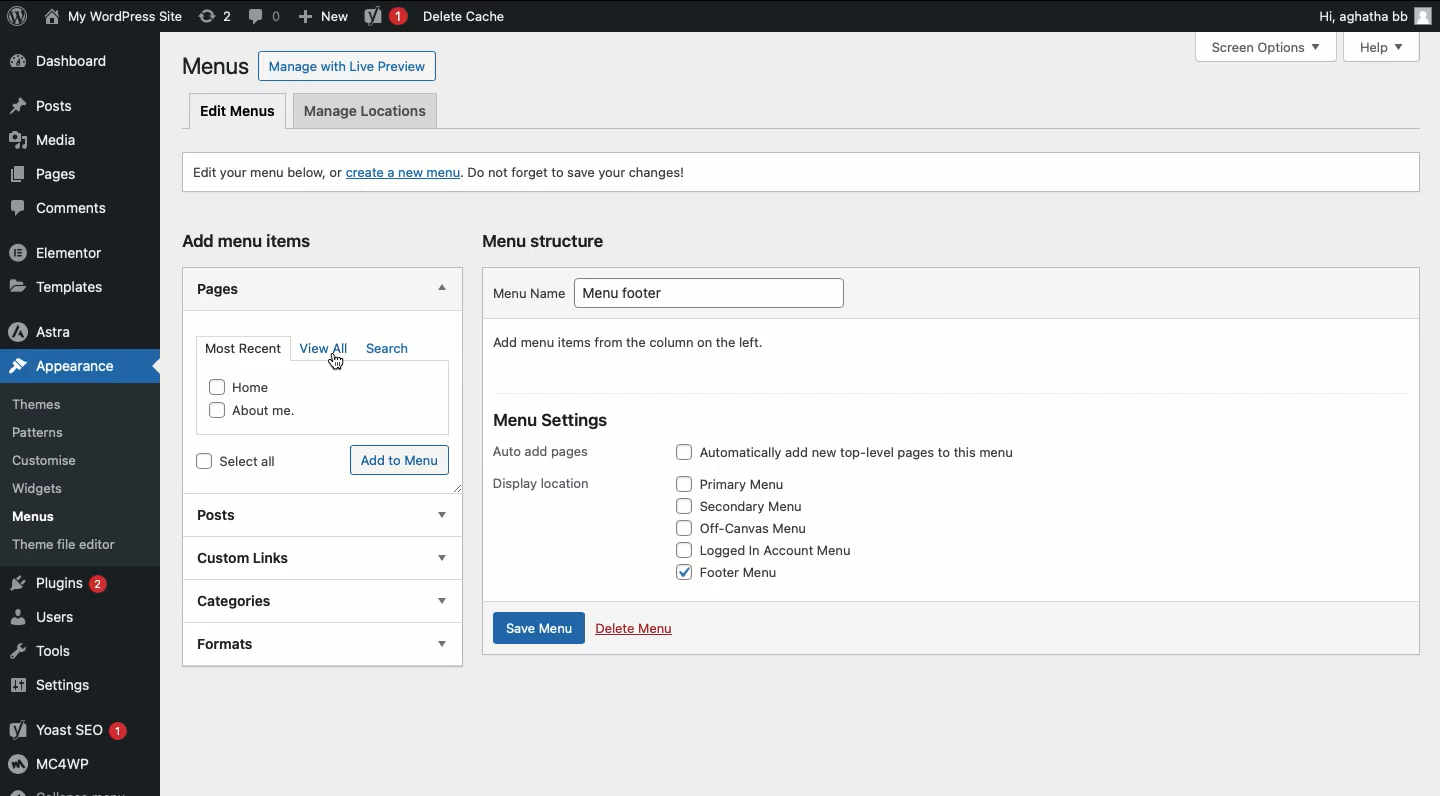 Image resolution: width=1440 pixels, height=796 pixels. Describe the element at coordinates (18, 16) in the screenshot. I see `WordPress Logo` at that location.